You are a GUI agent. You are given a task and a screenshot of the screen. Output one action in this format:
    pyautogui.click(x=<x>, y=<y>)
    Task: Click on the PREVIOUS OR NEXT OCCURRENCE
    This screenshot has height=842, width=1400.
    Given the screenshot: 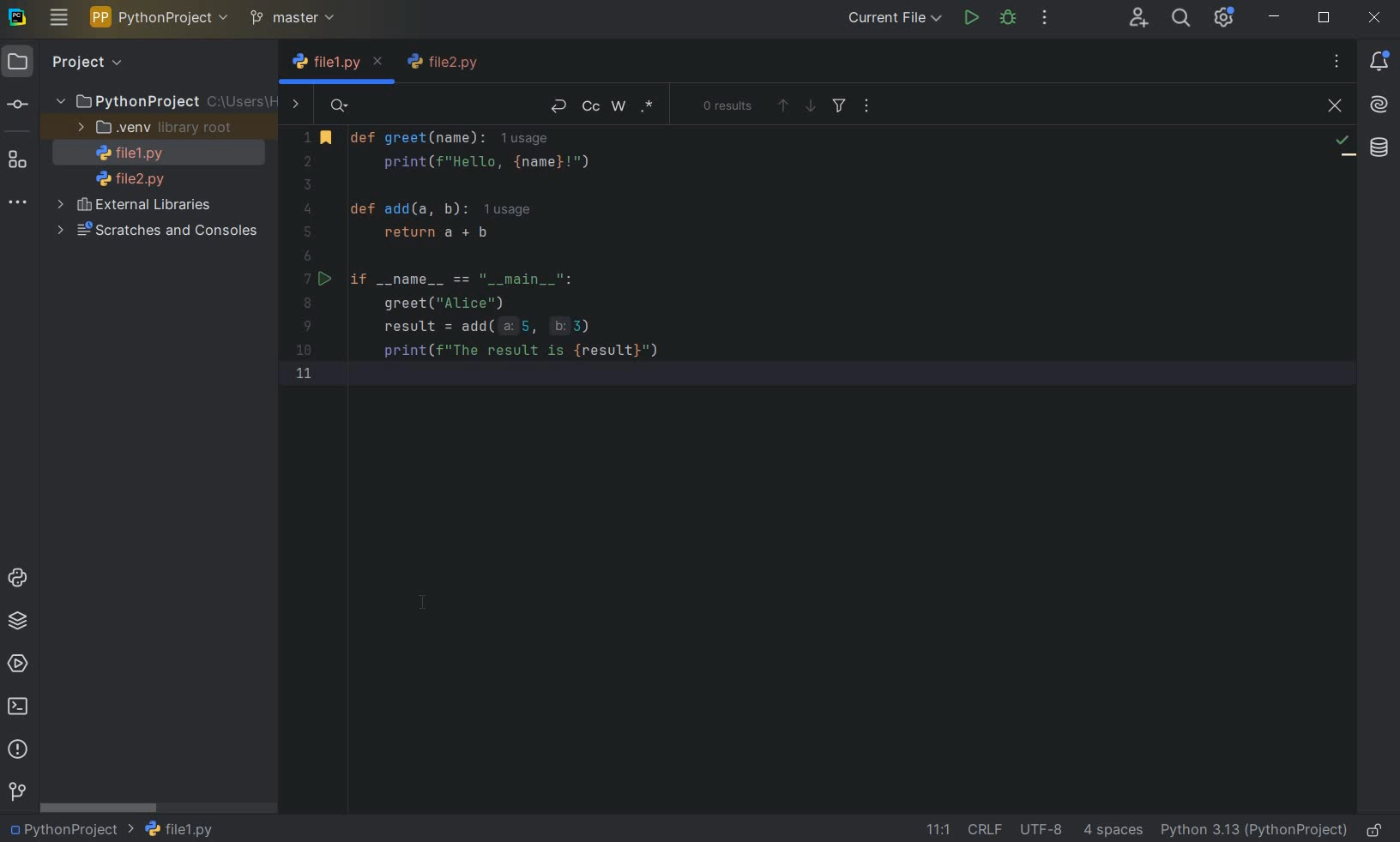 What is the action you would take?
    pyautogui.click(x=794, y=105)
    